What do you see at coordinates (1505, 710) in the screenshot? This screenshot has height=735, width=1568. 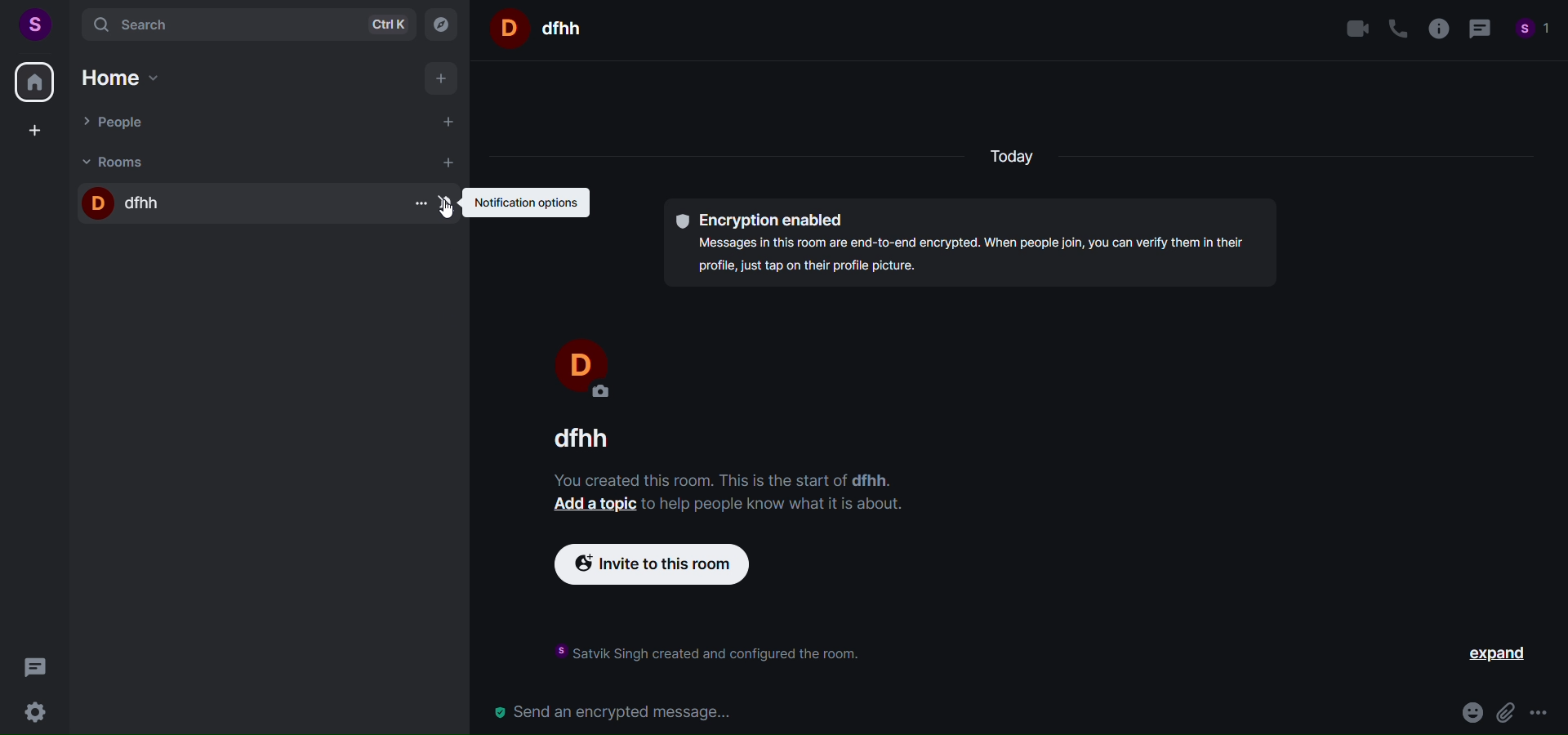 I see `attachment` at bounding box center [1505, 710].